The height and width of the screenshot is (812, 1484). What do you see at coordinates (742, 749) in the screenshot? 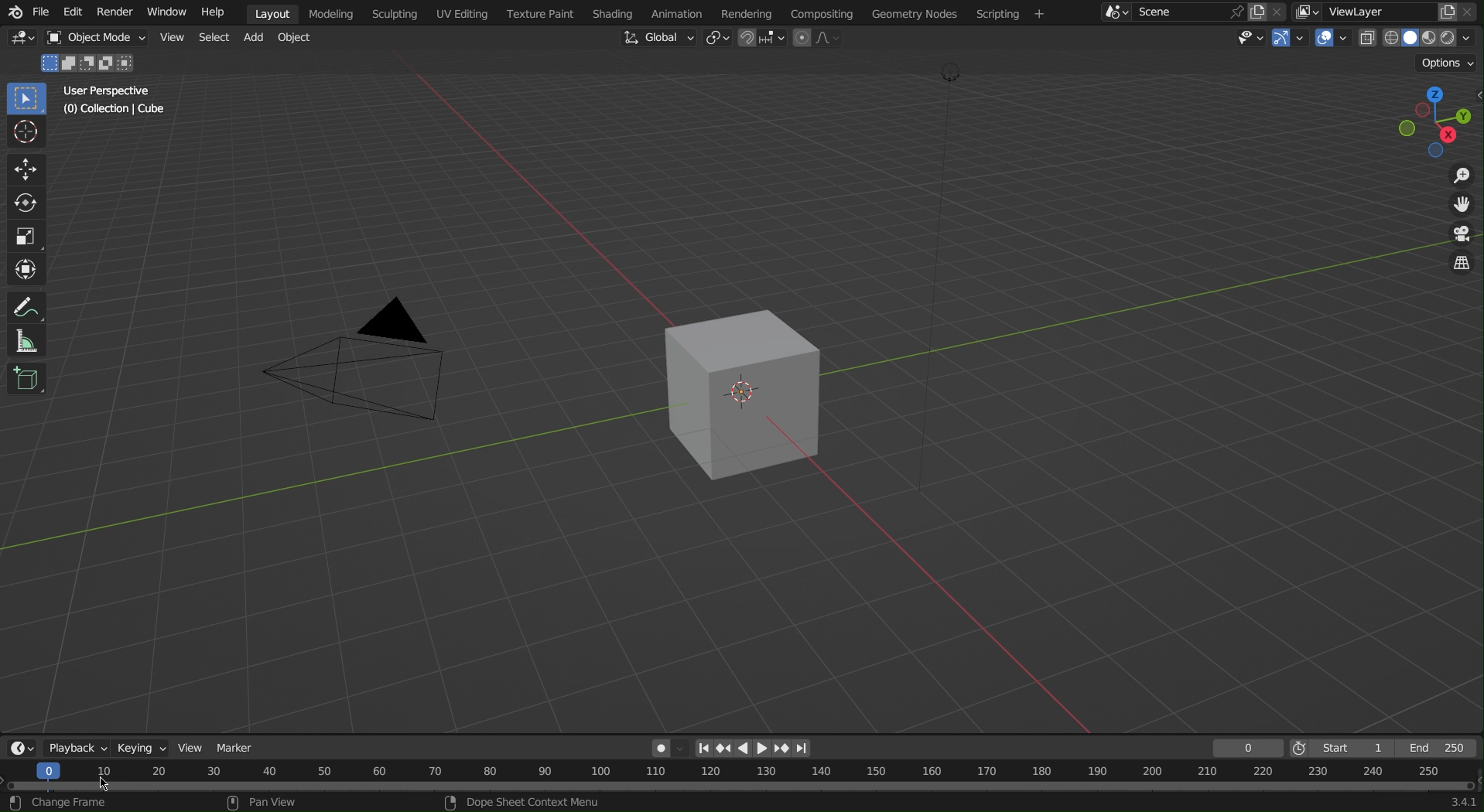
I see `left` at bounding box center [742, 749].